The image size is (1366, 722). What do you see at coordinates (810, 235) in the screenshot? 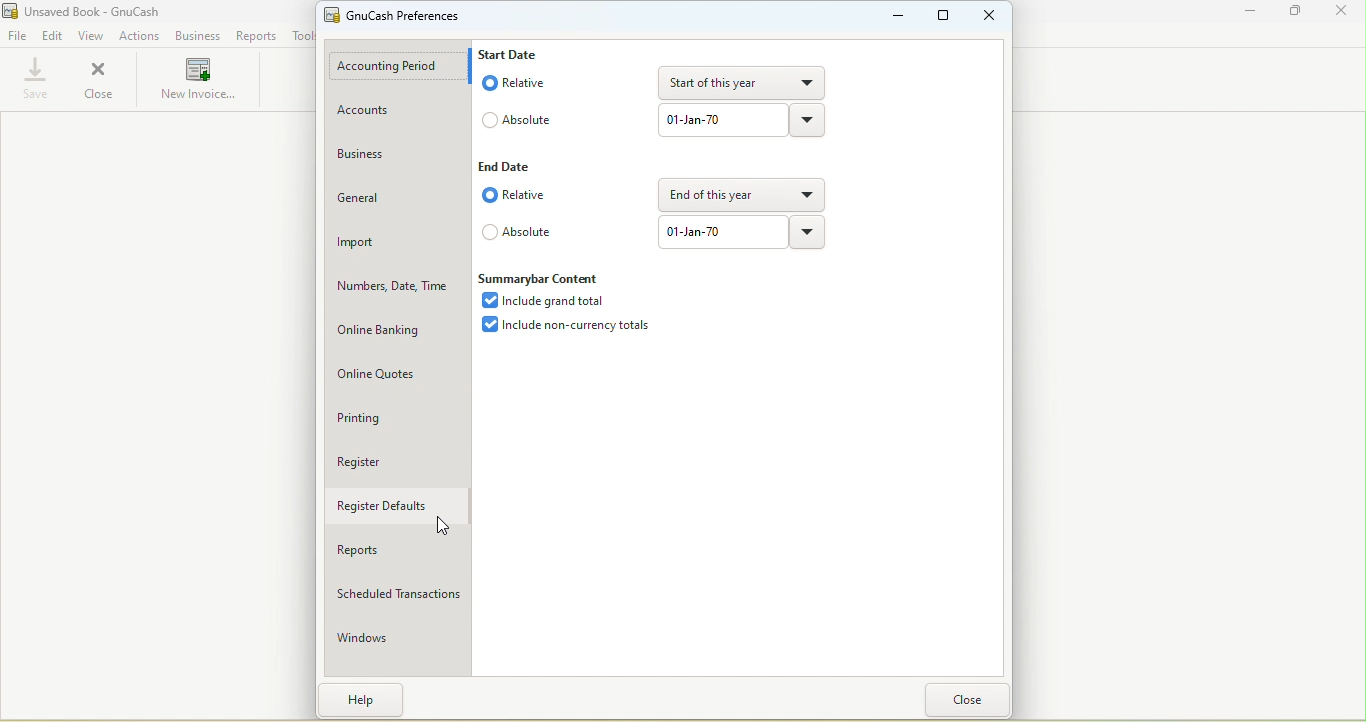
I see `Drop down` at bounding box center [810, 235].